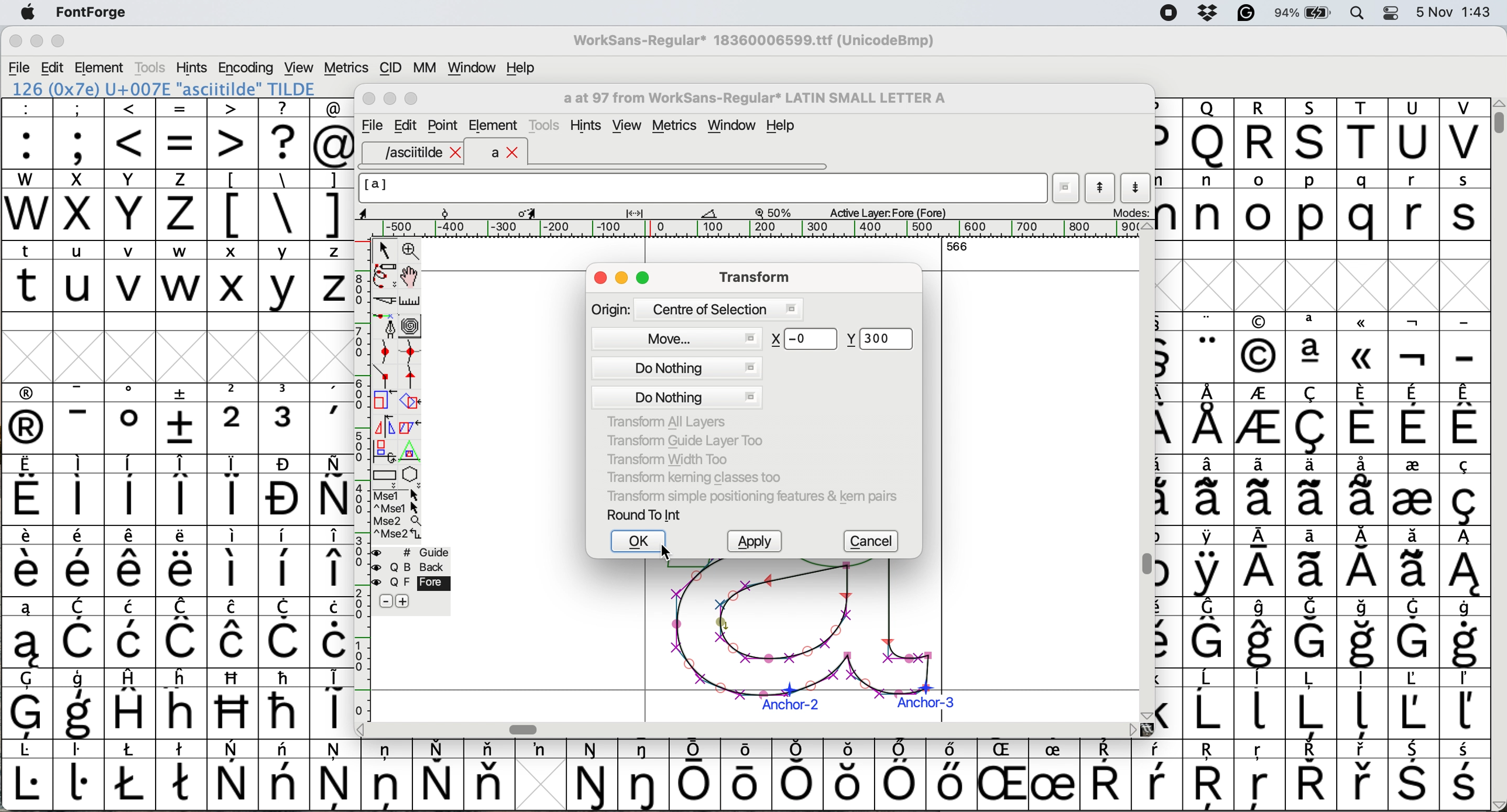  I want to click on mm, so click(424, 67).